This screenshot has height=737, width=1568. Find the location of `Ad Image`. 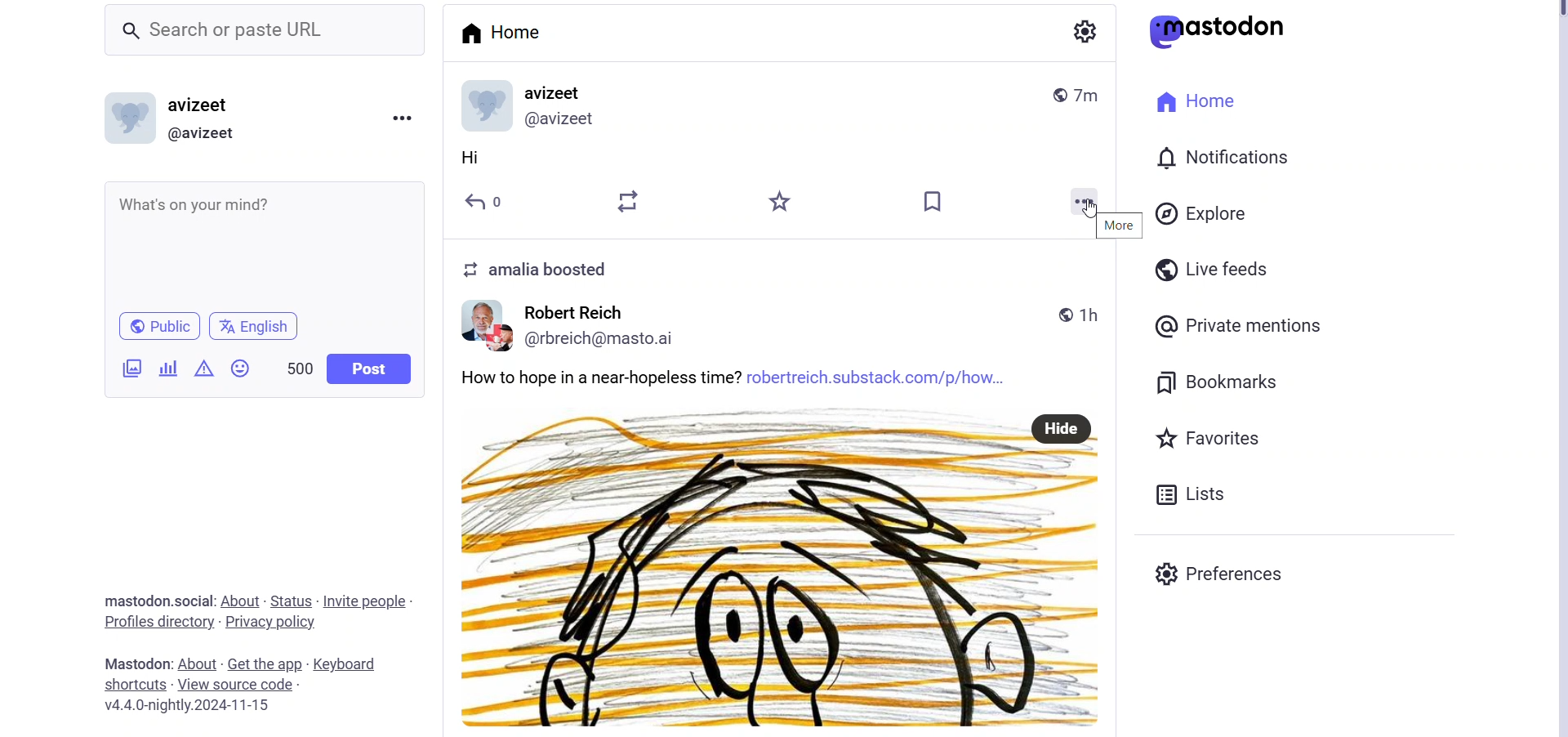

Ad Image is located at coordinates (129, 368).